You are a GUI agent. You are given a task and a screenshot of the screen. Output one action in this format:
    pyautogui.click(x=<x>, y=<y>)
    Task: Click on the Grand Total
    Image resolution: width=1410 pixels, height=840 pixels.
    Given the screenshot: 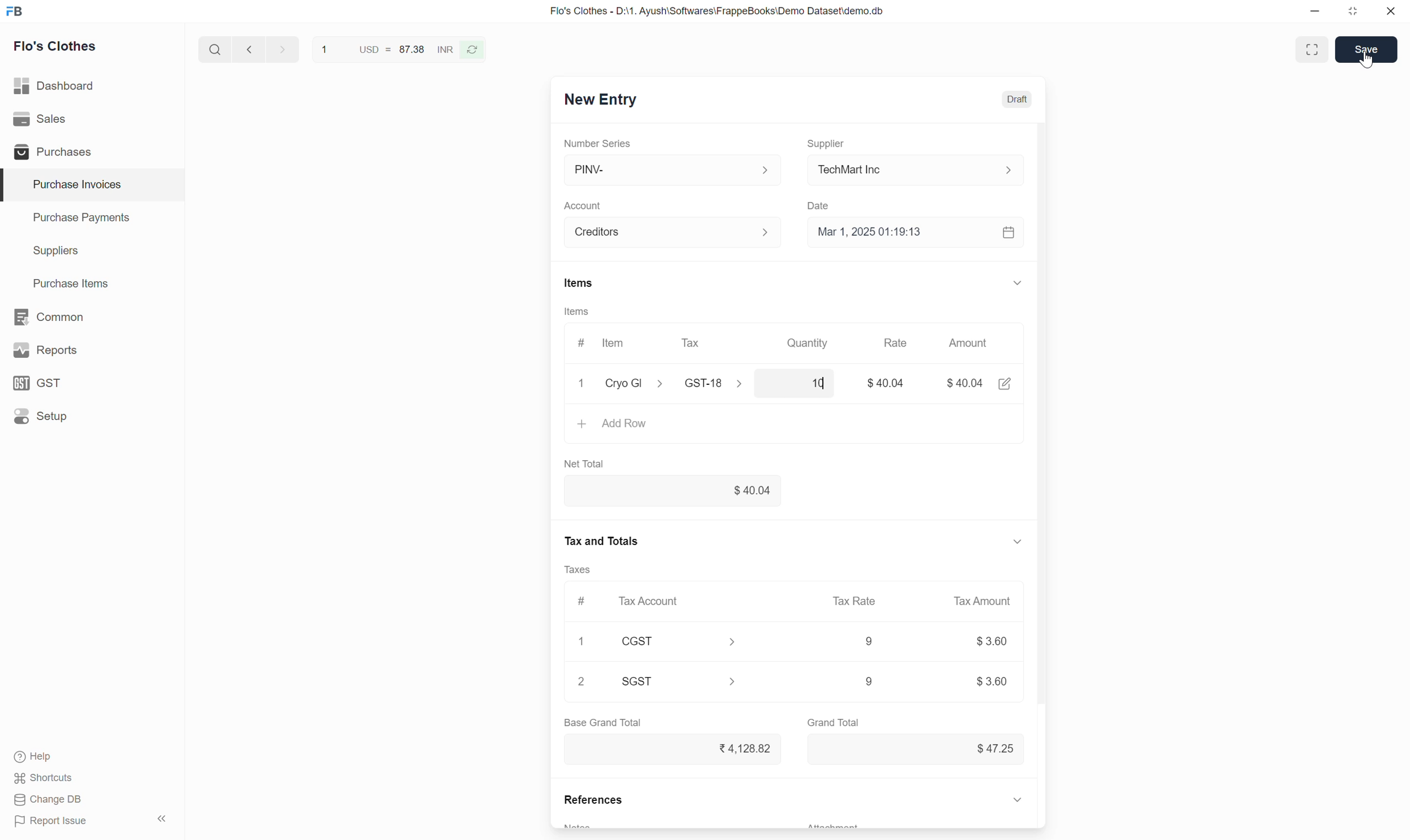 What is the action you would take?
    pyautogui.click(x=835, y=721)
    